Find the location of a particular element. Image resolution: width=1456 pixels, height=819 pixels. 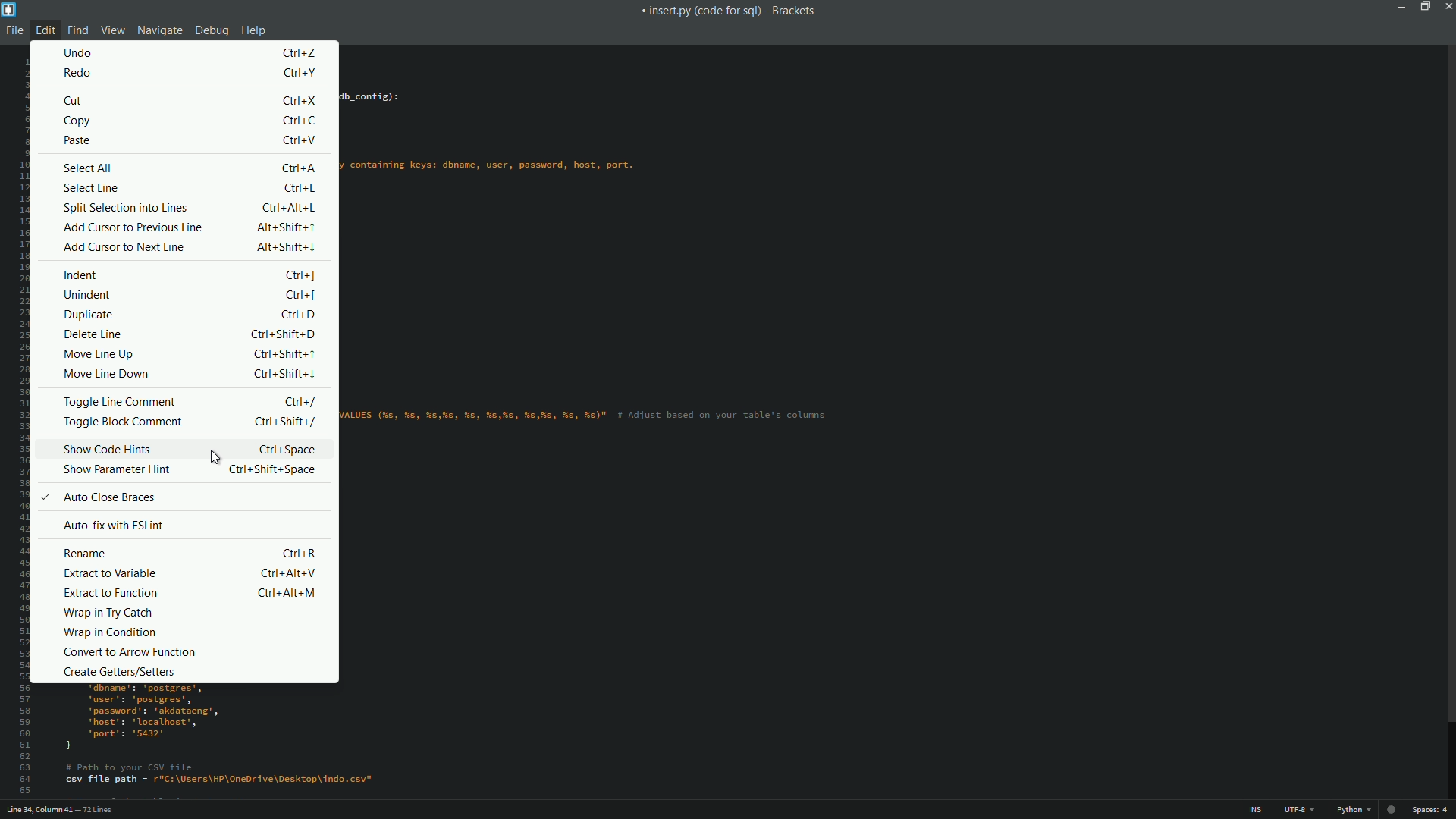

auto fix with eslint is located at coordinates (116, 526).